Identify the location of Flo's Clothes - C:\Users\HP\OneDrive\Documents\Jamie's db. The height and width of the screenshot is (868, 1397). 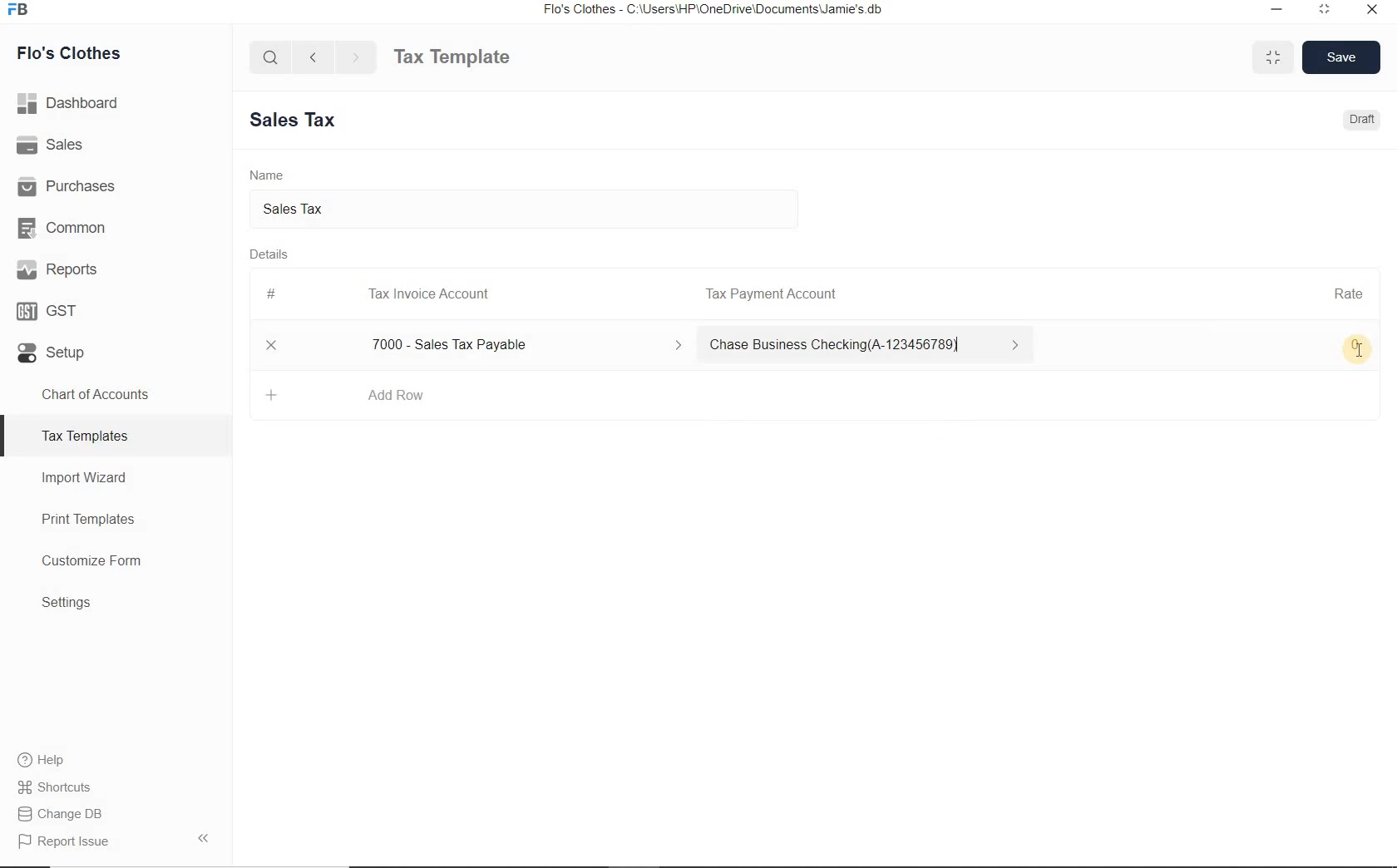
(712, 9).